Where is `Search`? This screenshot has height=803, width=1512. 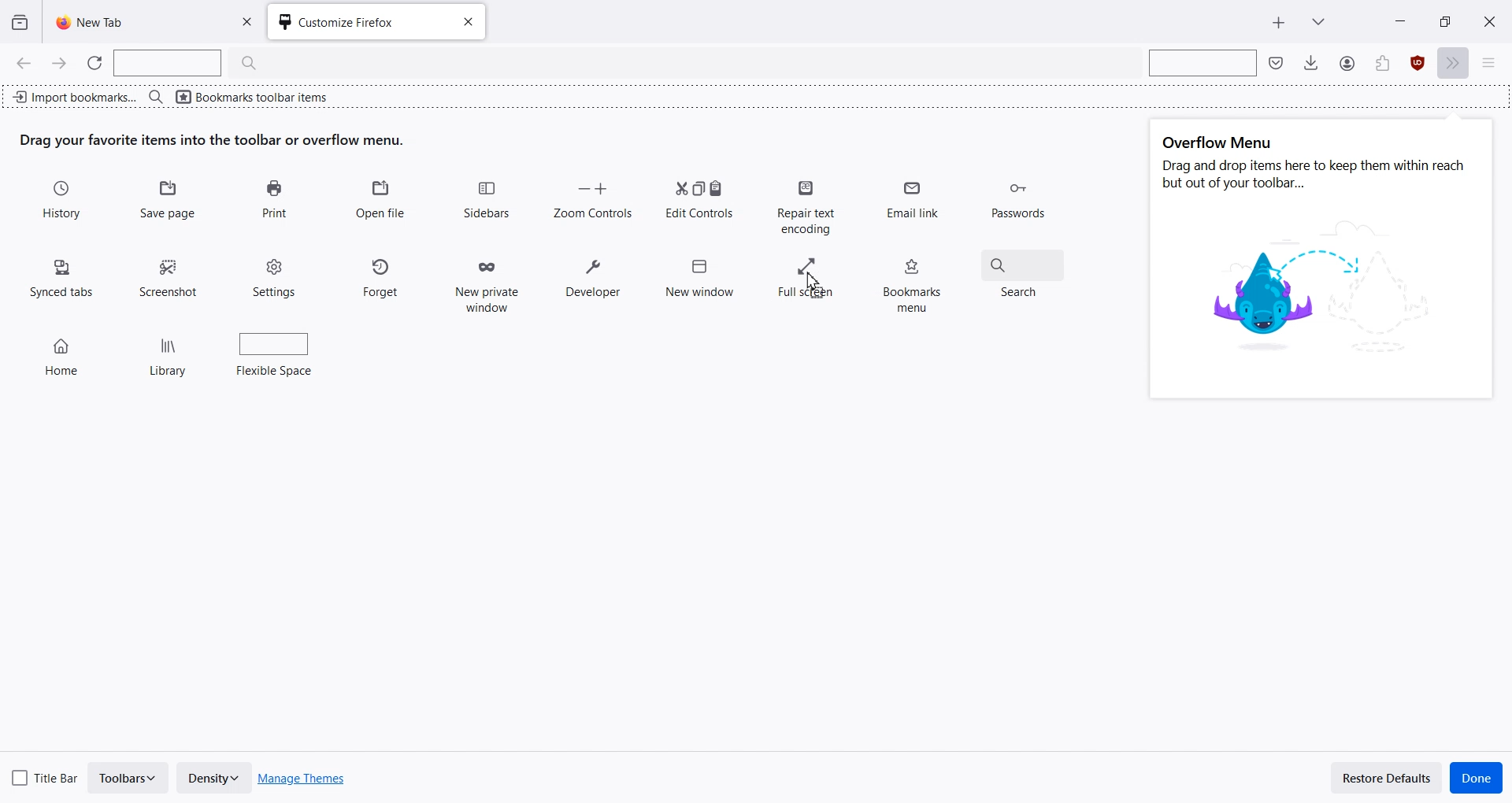
Search is located at coordinates (1025, 271).